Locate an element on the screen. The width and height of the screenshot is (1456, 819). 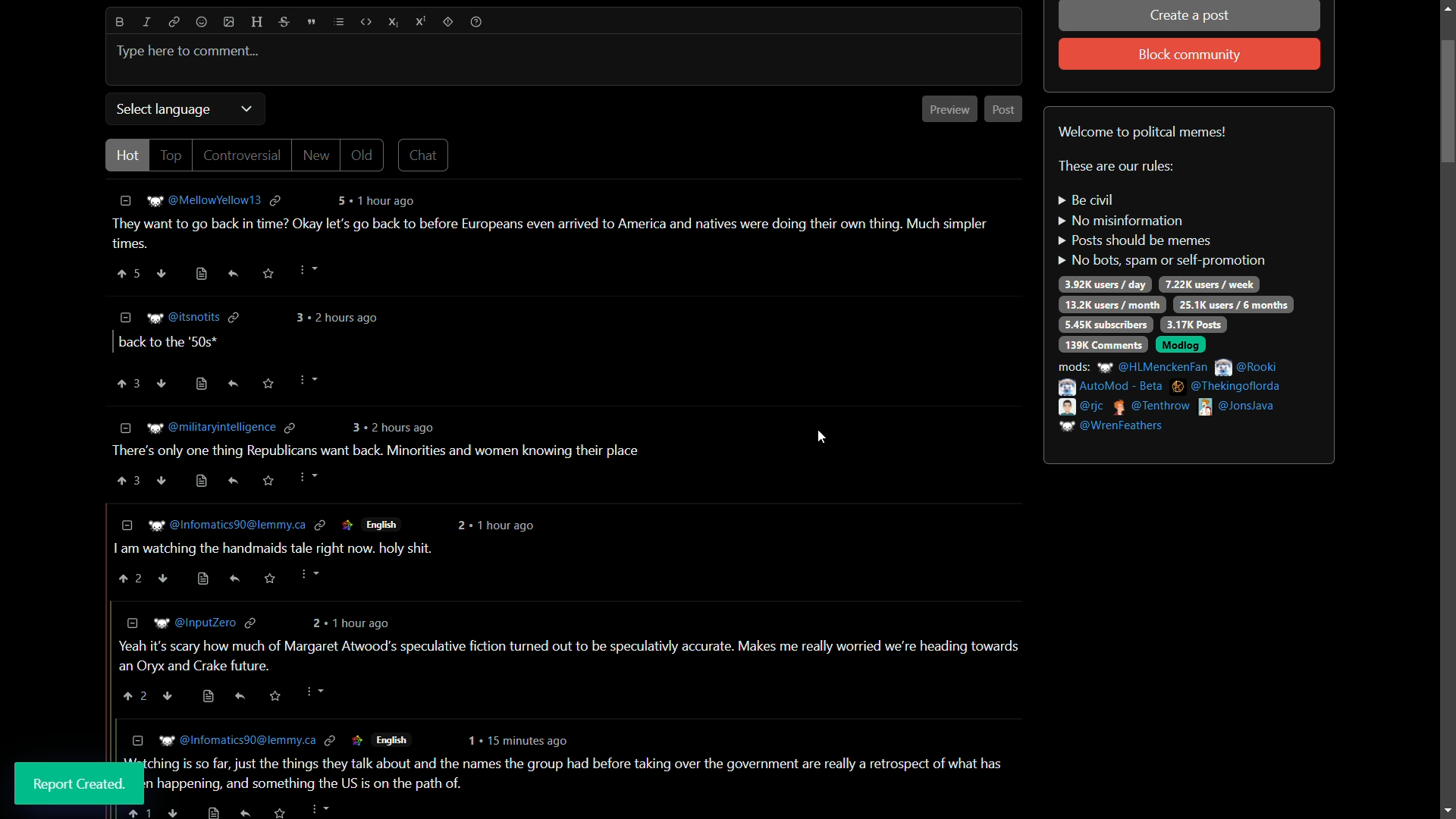
3.92k users/day is located at coordinates (1106, 284).